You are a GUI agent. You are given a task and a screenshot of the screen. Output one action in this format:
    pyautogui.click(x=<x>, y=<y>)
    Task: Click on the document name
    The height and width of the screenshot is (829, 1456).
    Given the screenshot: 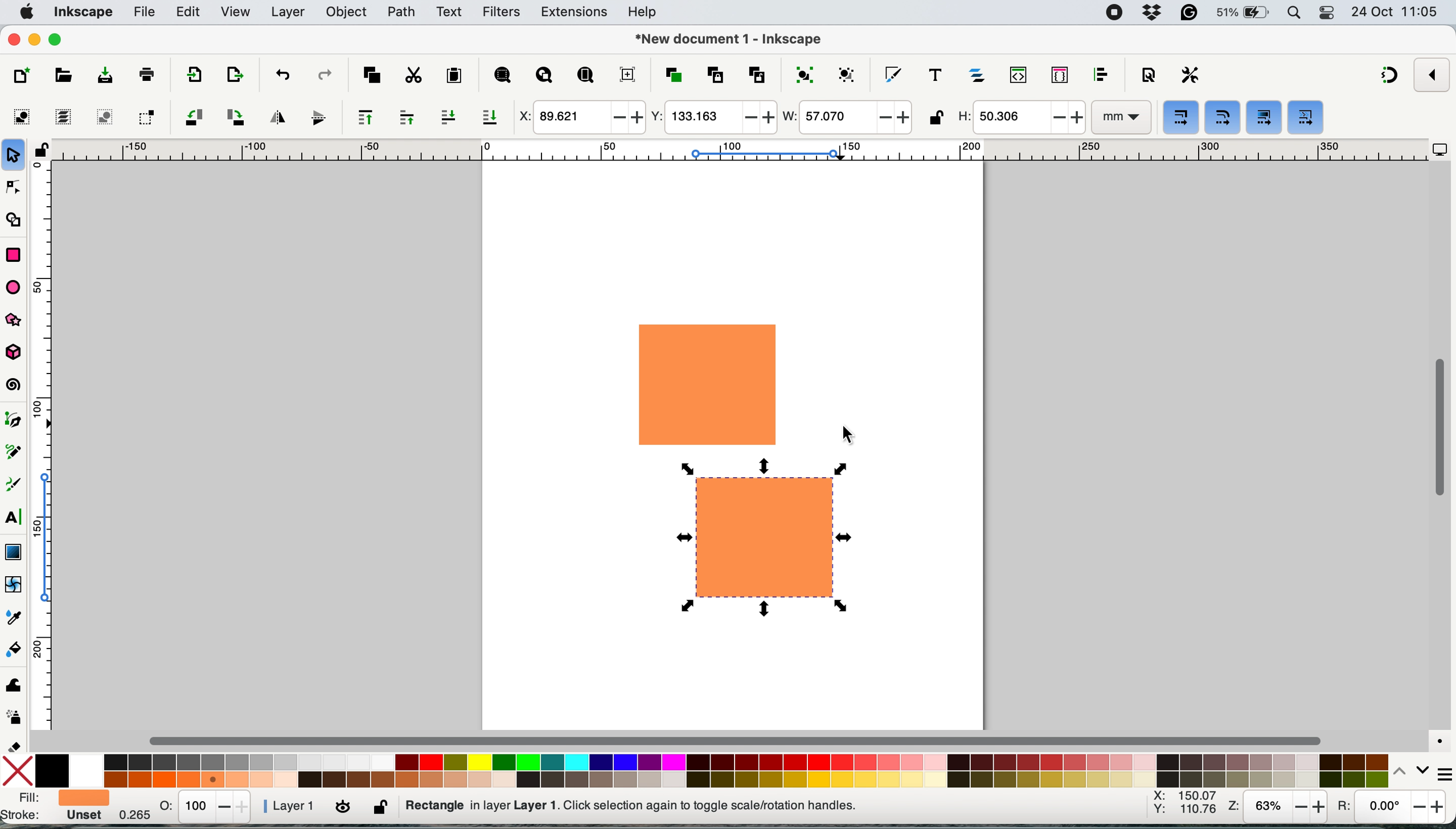 What is the action you would take?
    pyautogui.click(x=728, y=40)
    